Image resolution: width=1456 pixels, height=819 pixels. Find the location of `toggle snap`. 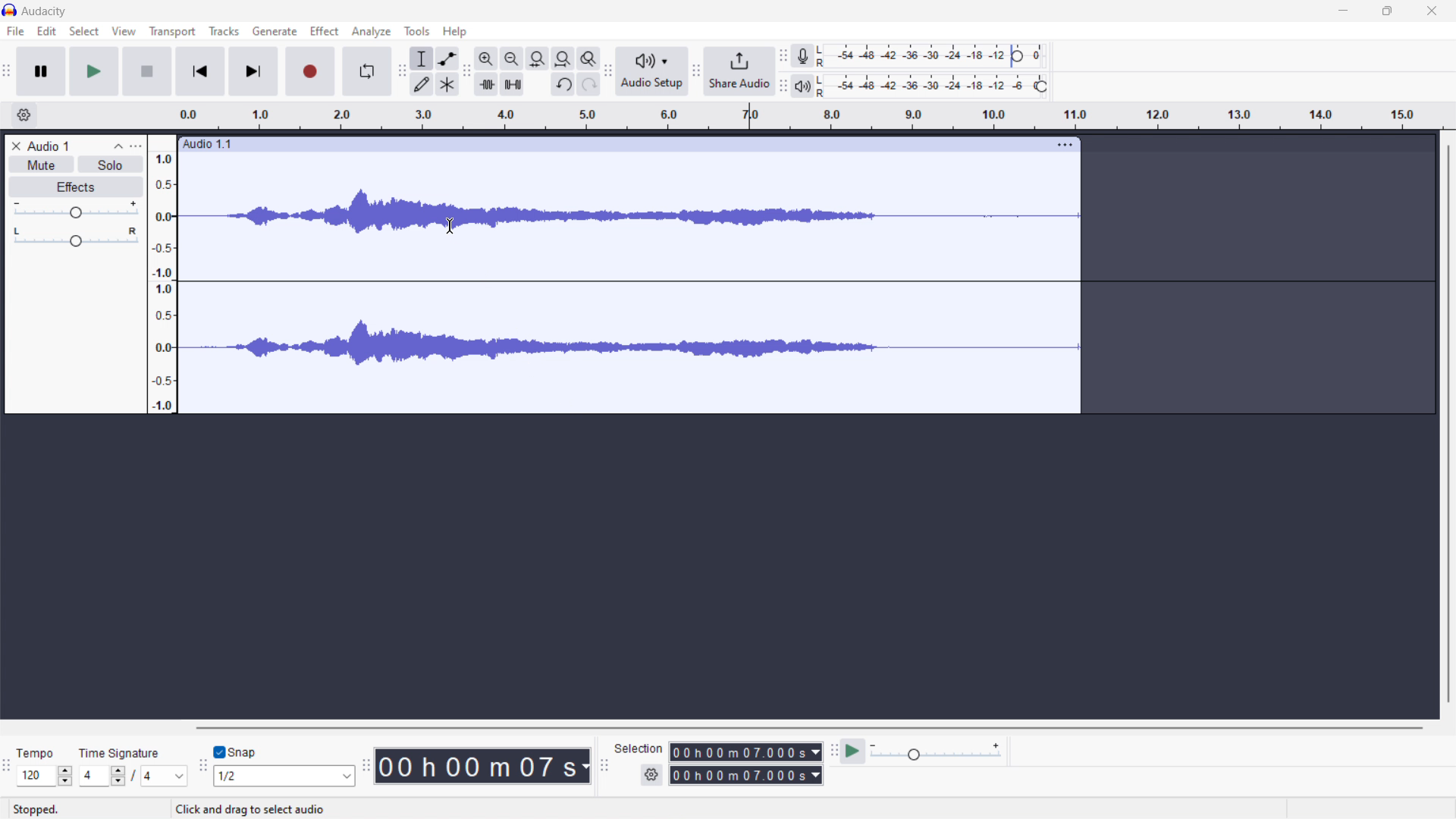

toggle snap is located at coordinates (237, 752).